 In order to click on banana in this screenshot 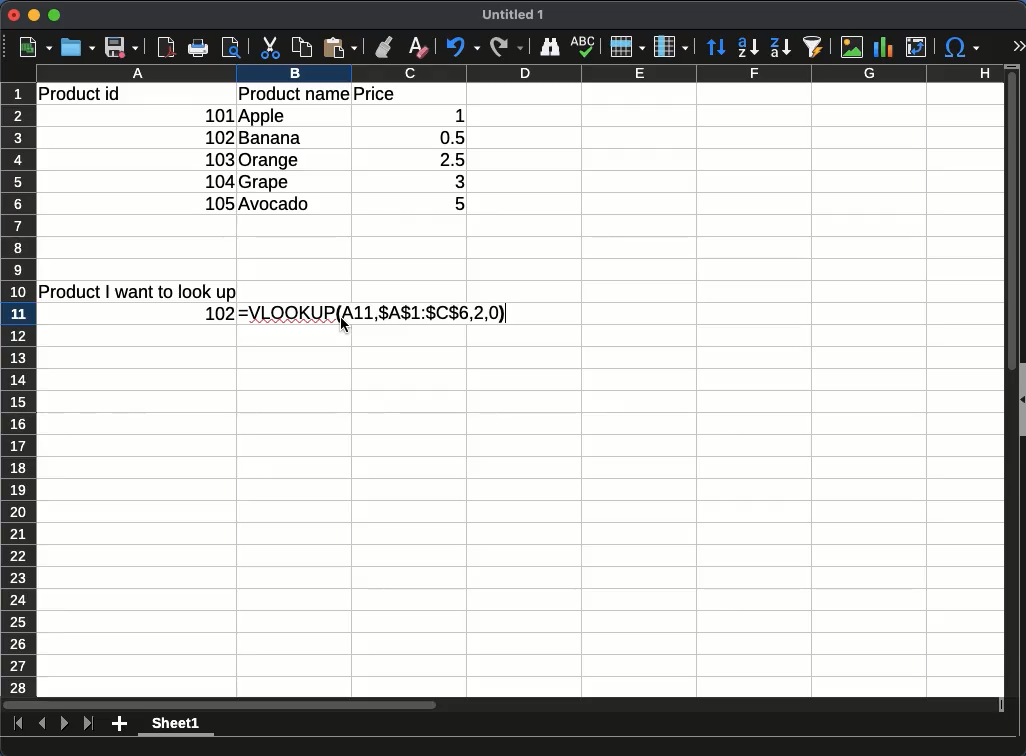, I will do `click(271, 137)`.